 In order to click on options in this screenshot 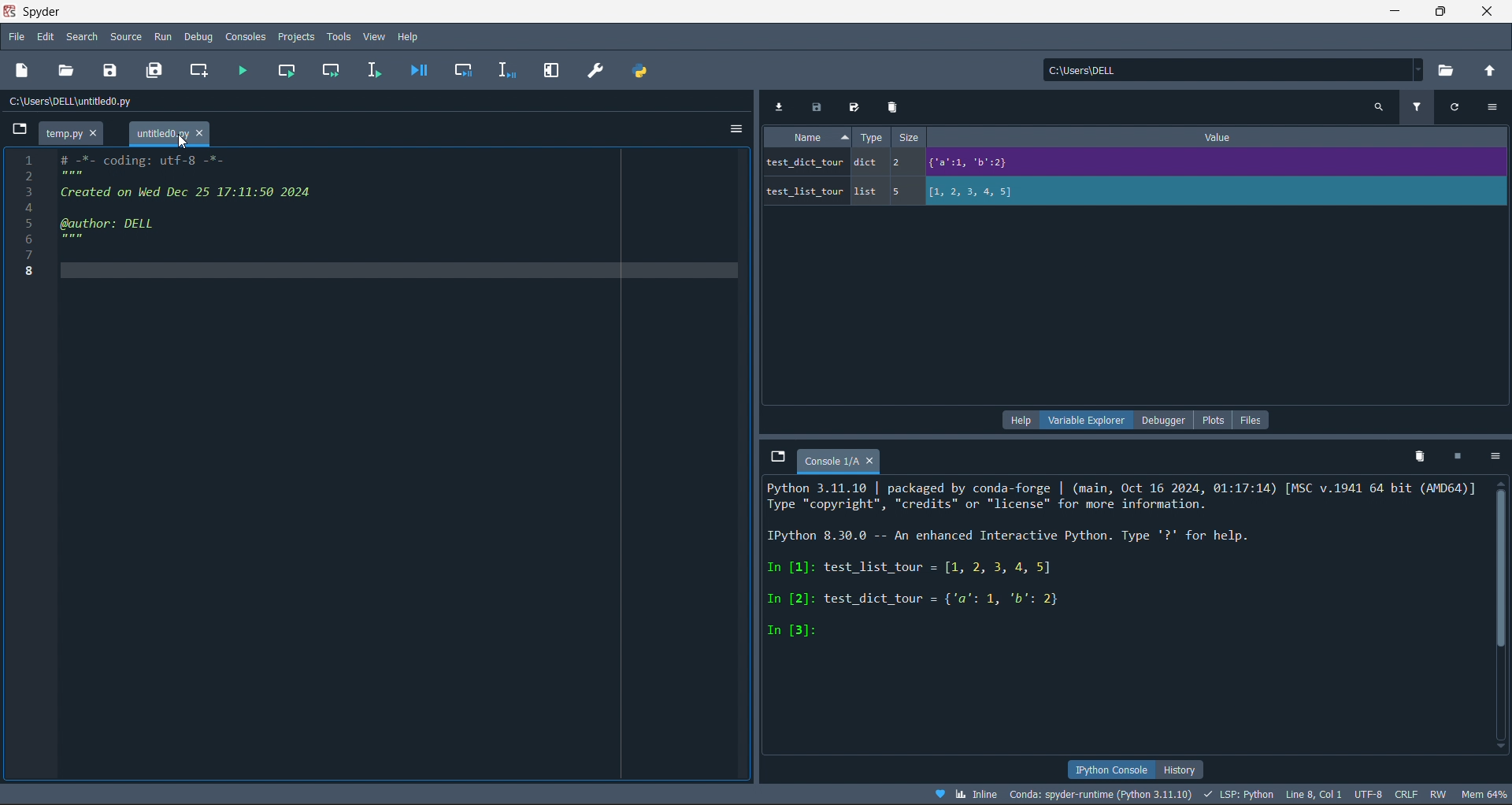, I will do `click(1497, 456)`.